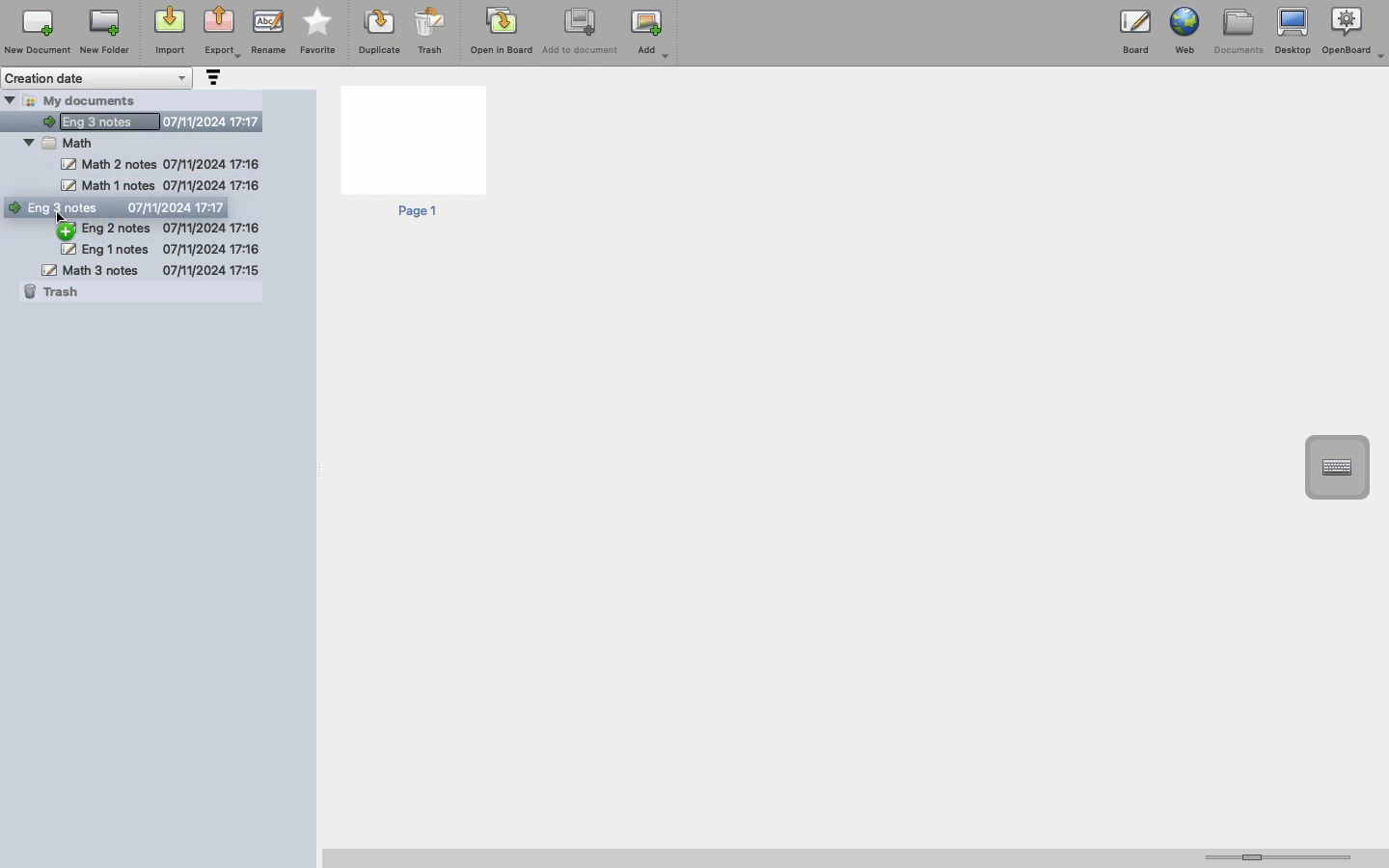  Describe the element at coordinates (159, 249) in the screenshot. I see `Eng 1 notes` at that location.